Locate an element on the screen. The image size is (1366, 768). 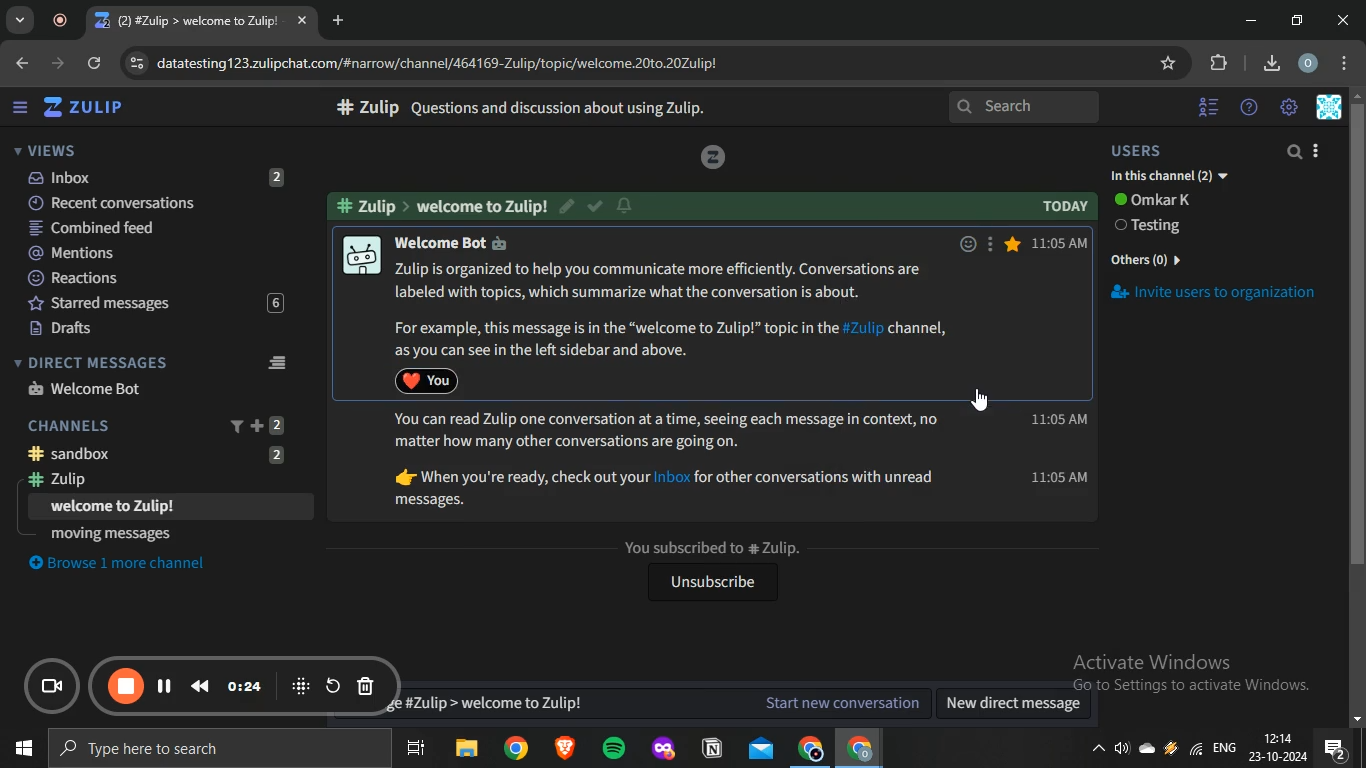
restore window is located at coordinates (1299, 20).